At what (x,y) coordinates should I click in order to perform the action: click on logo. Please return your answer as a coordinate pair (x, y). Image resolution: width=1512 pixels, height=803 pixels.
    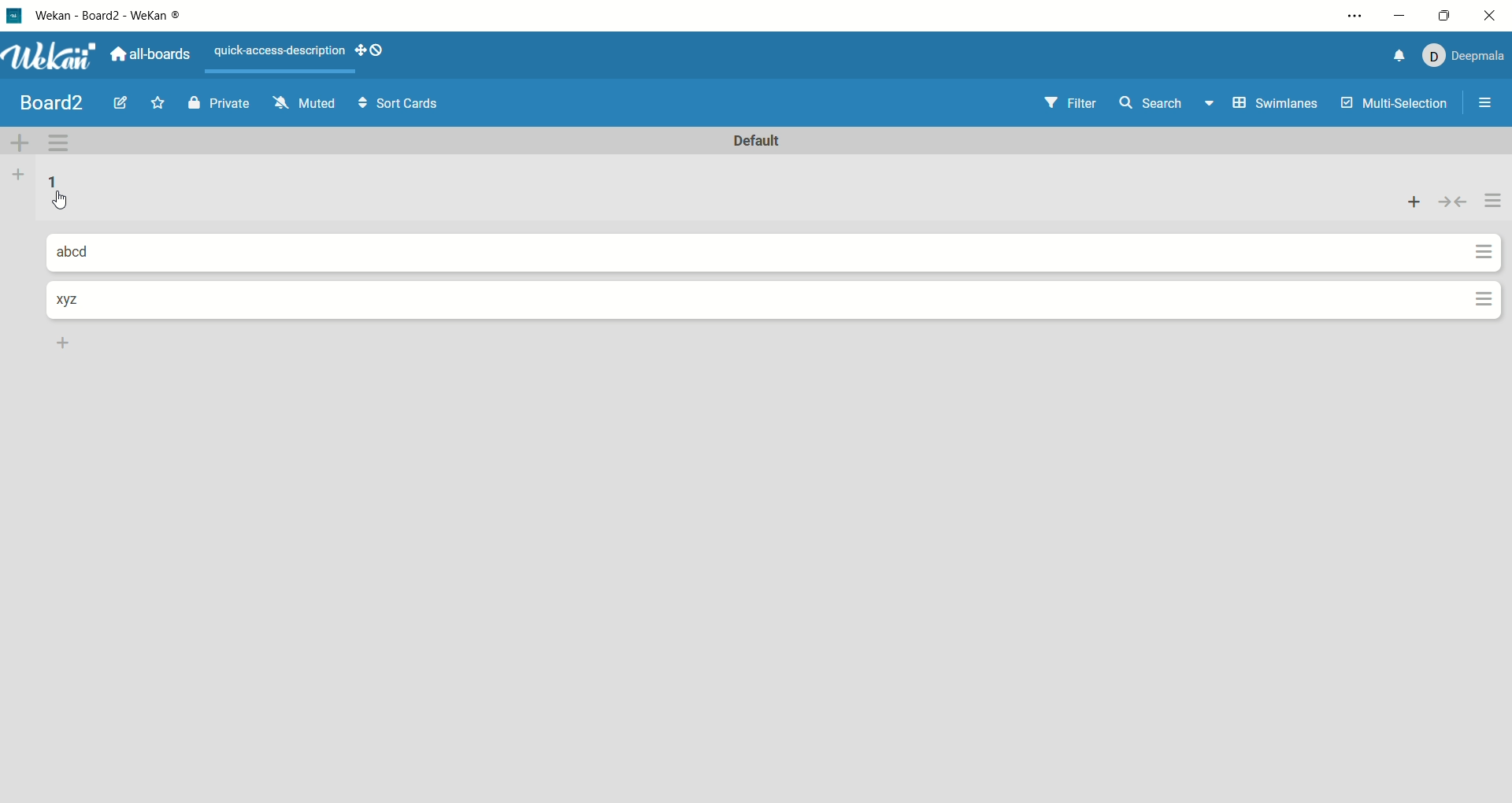
    Looking at the image, I should click on (13, 15).